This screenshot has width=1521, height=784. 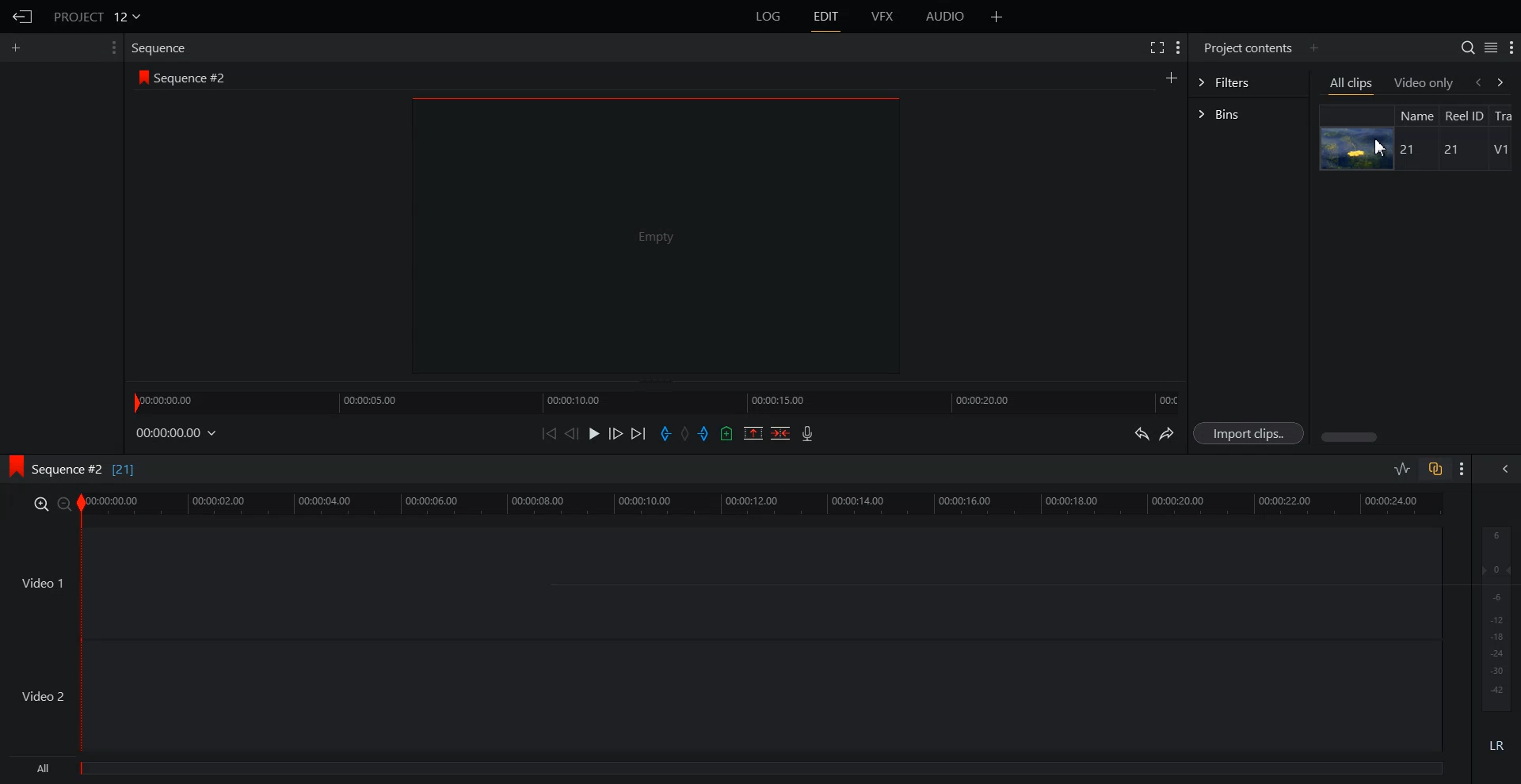 What do you see at coordinates (997, 16) in the screenshot?
I see `Add Panel` at bounding box center [997, 16].